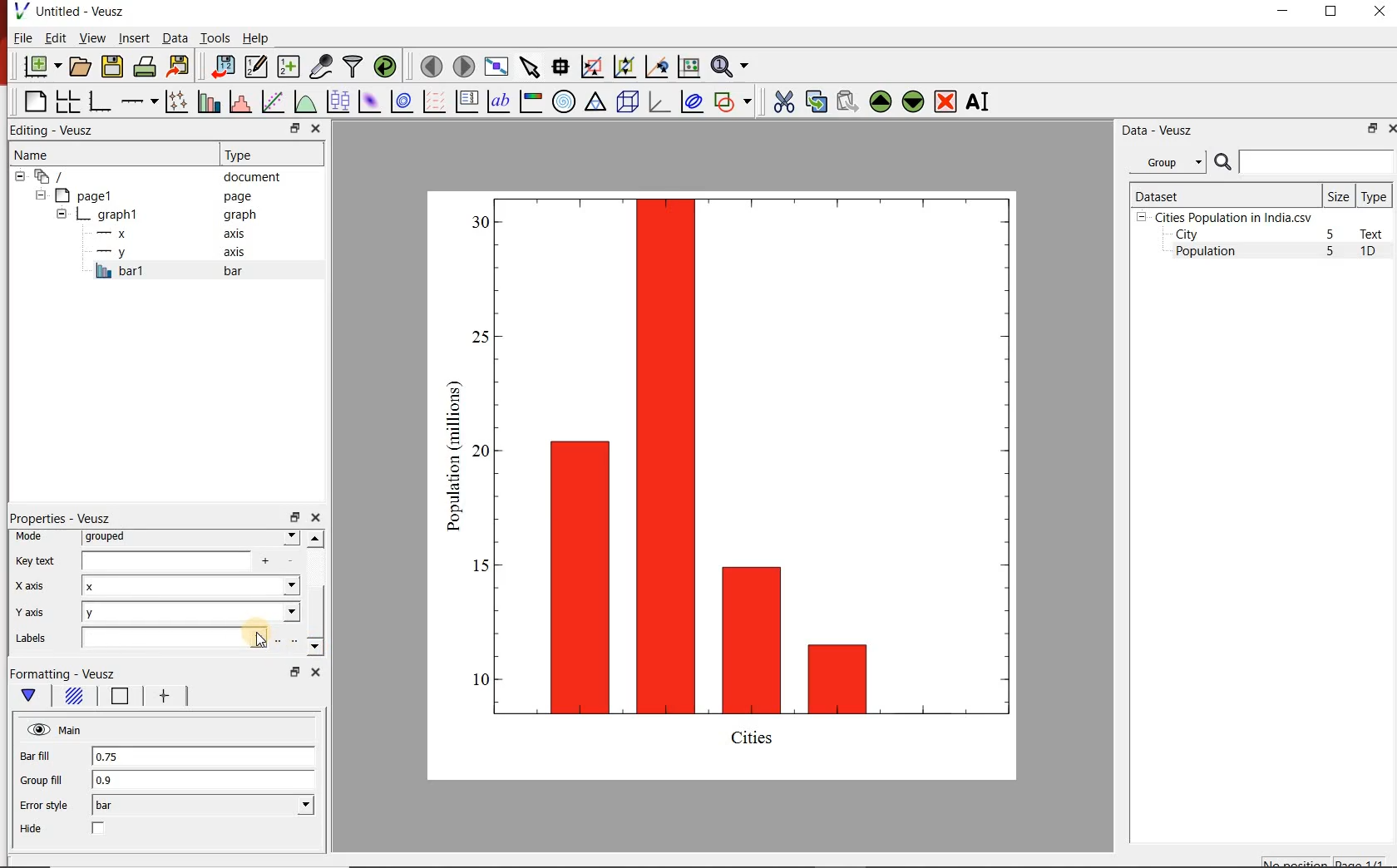 Image resolution: width=1397 pixels, height=868 pixels. What do you see at coordinates (658, 101) in the screenshot?
I see `3d graph` at bounding box center [658, 101].